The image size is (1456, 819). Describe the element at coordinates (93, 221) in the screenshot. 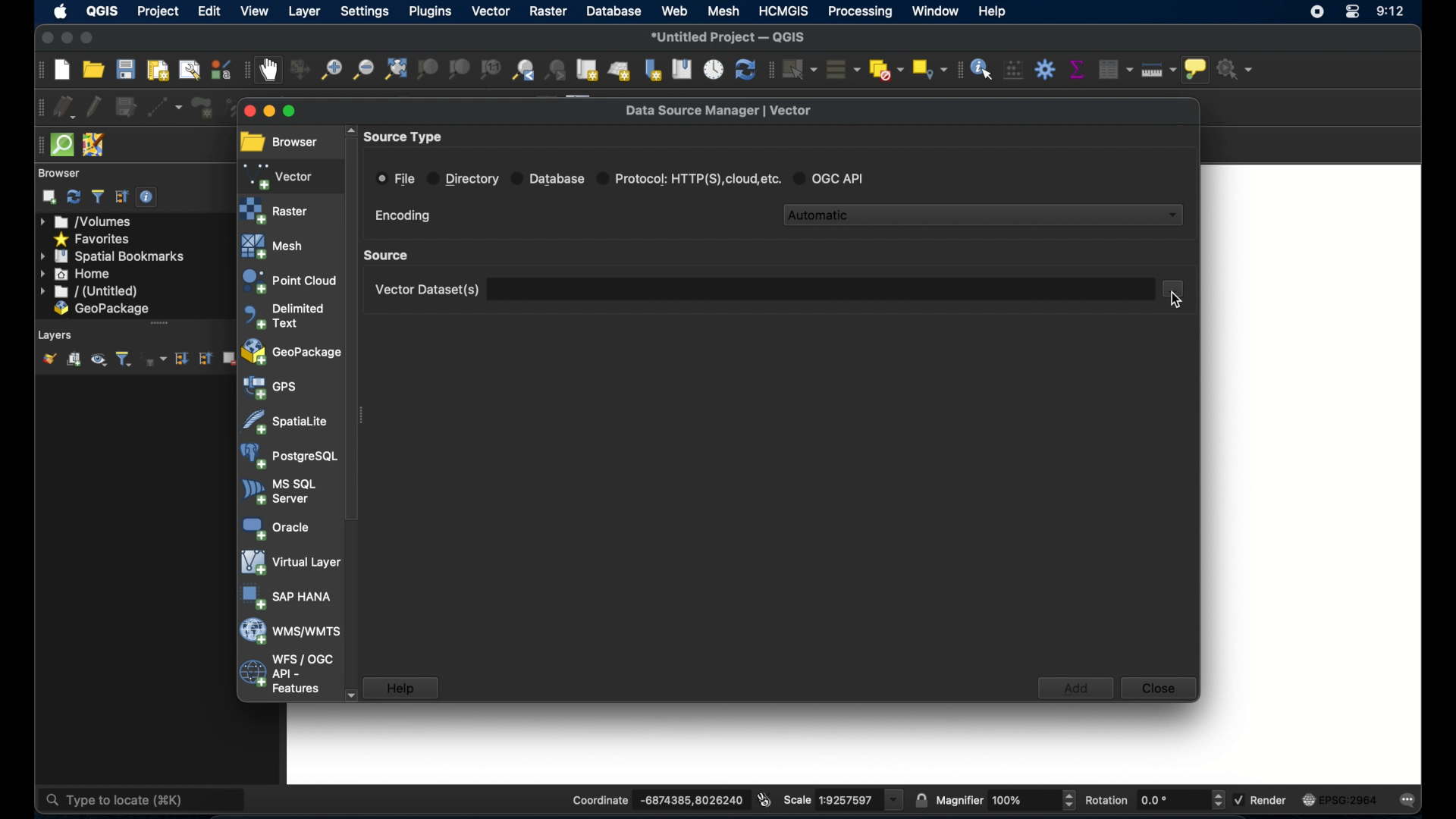

I see `volumes` at that location.